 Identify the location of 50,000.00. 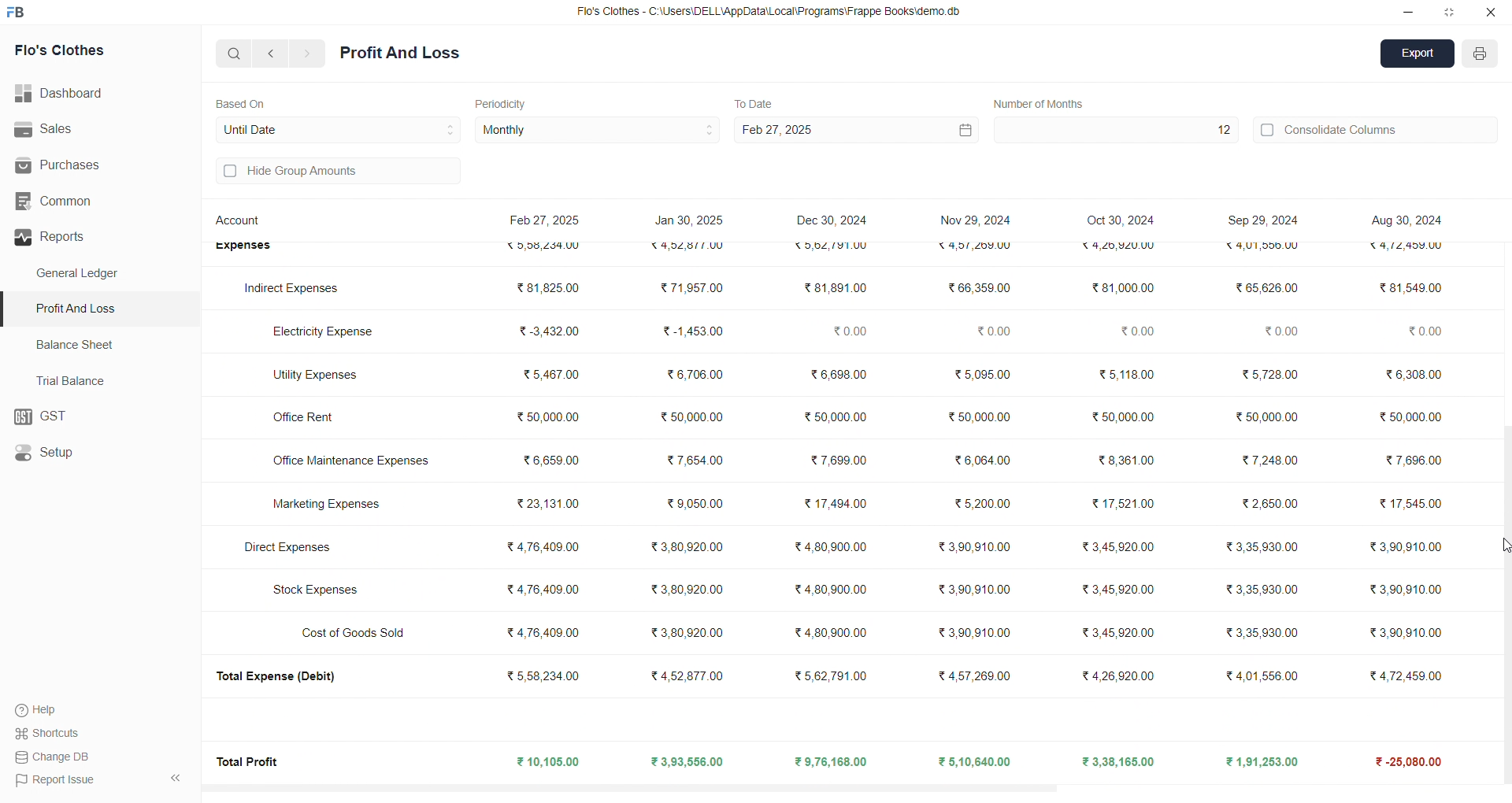
(1412, 417).